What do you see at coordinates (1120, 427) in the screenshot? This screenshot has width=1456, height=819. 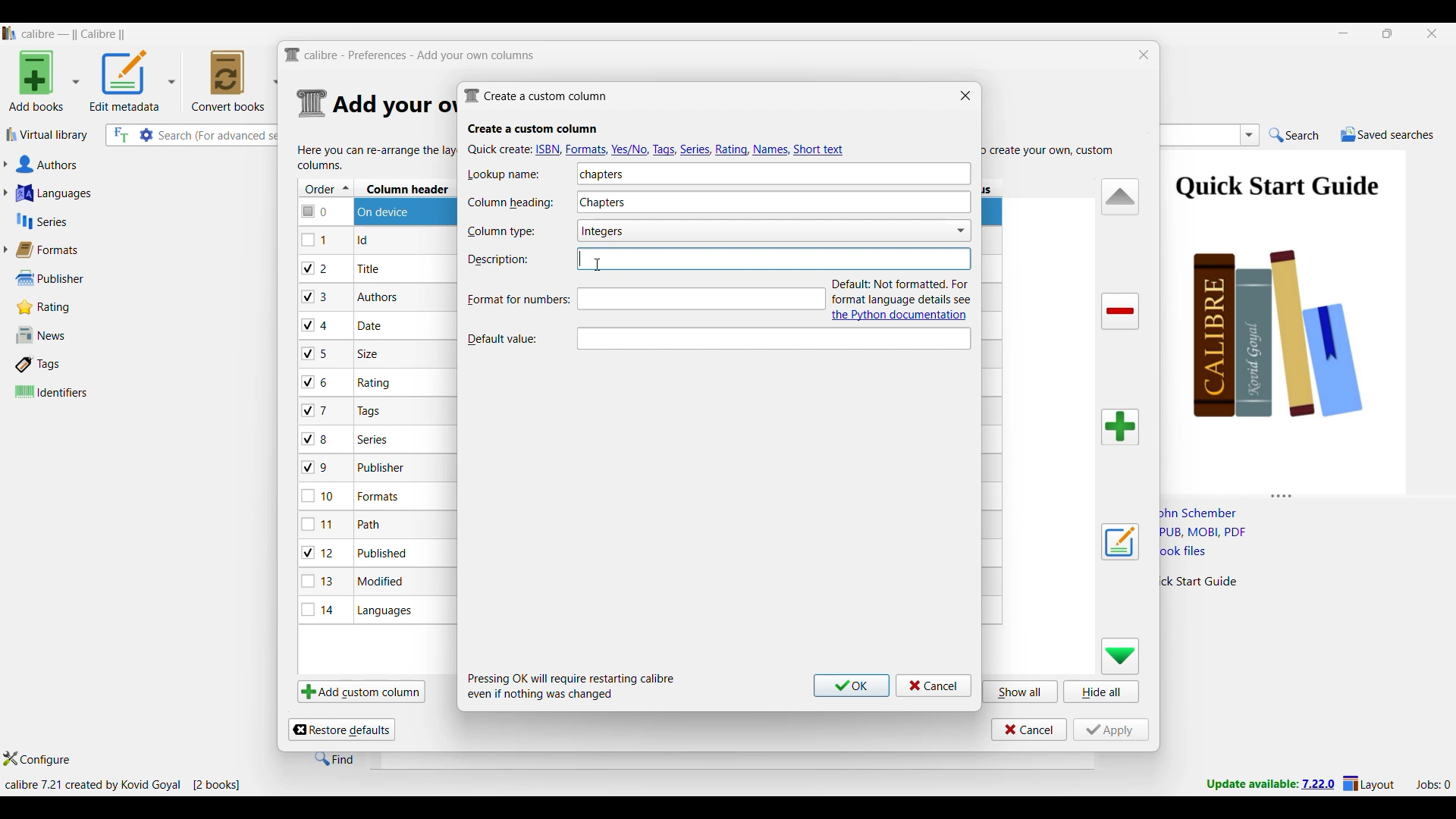 I see `Add column` at bounding box center [1120, 427].